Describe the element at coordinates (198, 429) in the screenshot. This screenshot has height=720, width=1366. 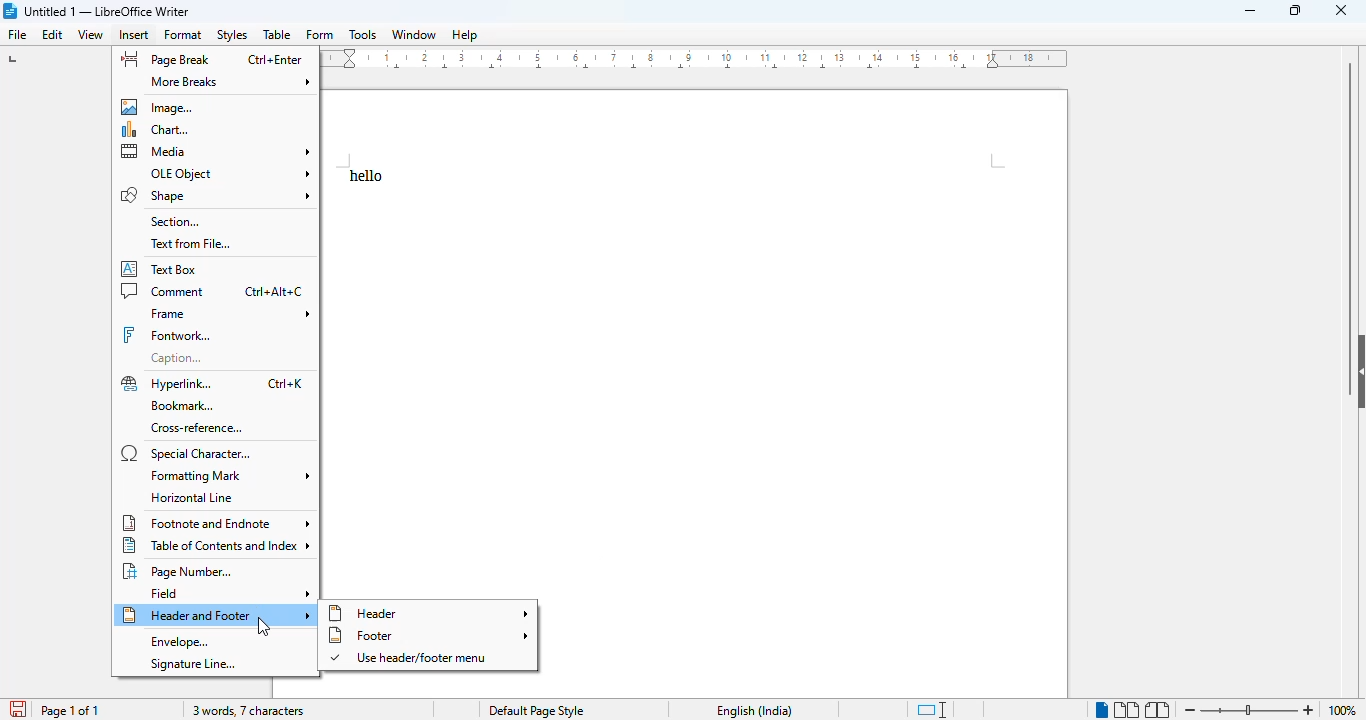
I see `cross-reference` at that location.